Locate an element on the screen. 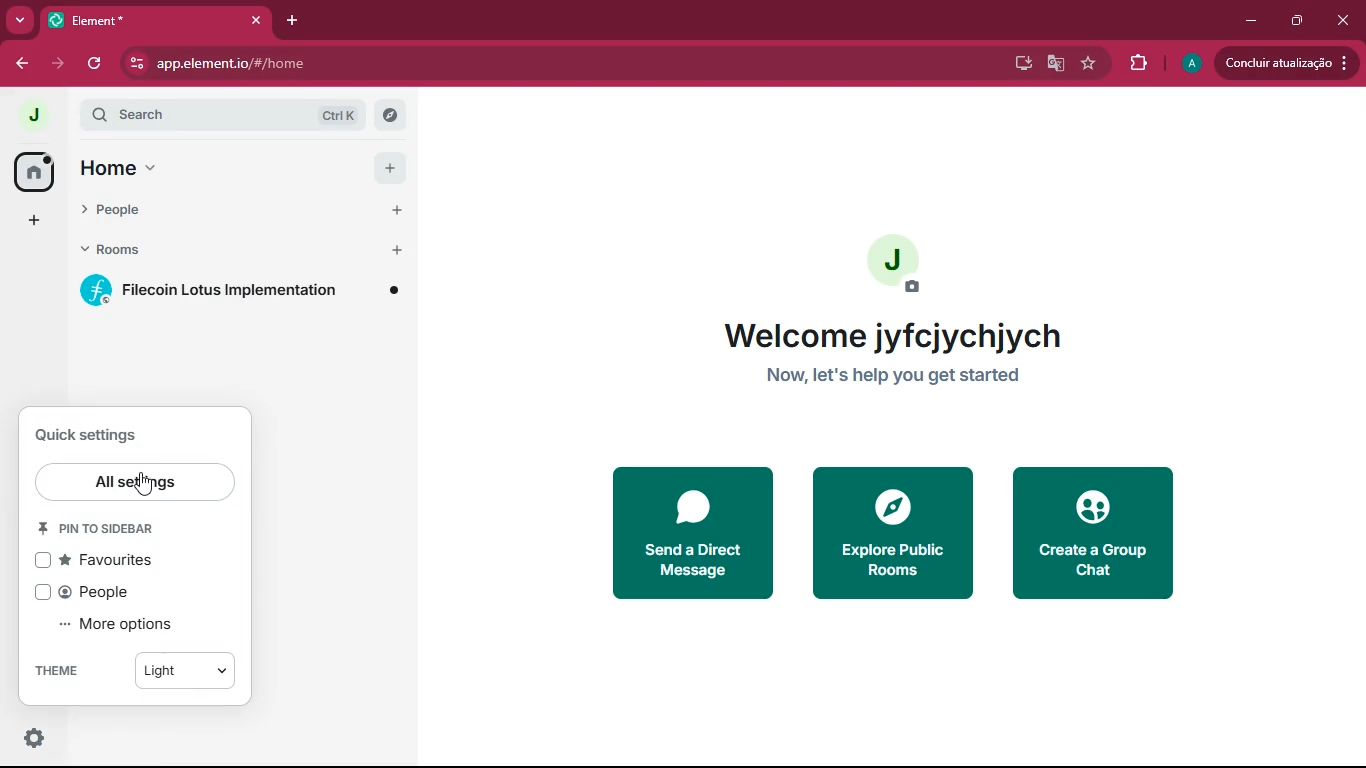  profile picture is located at coordinates (902, 257).